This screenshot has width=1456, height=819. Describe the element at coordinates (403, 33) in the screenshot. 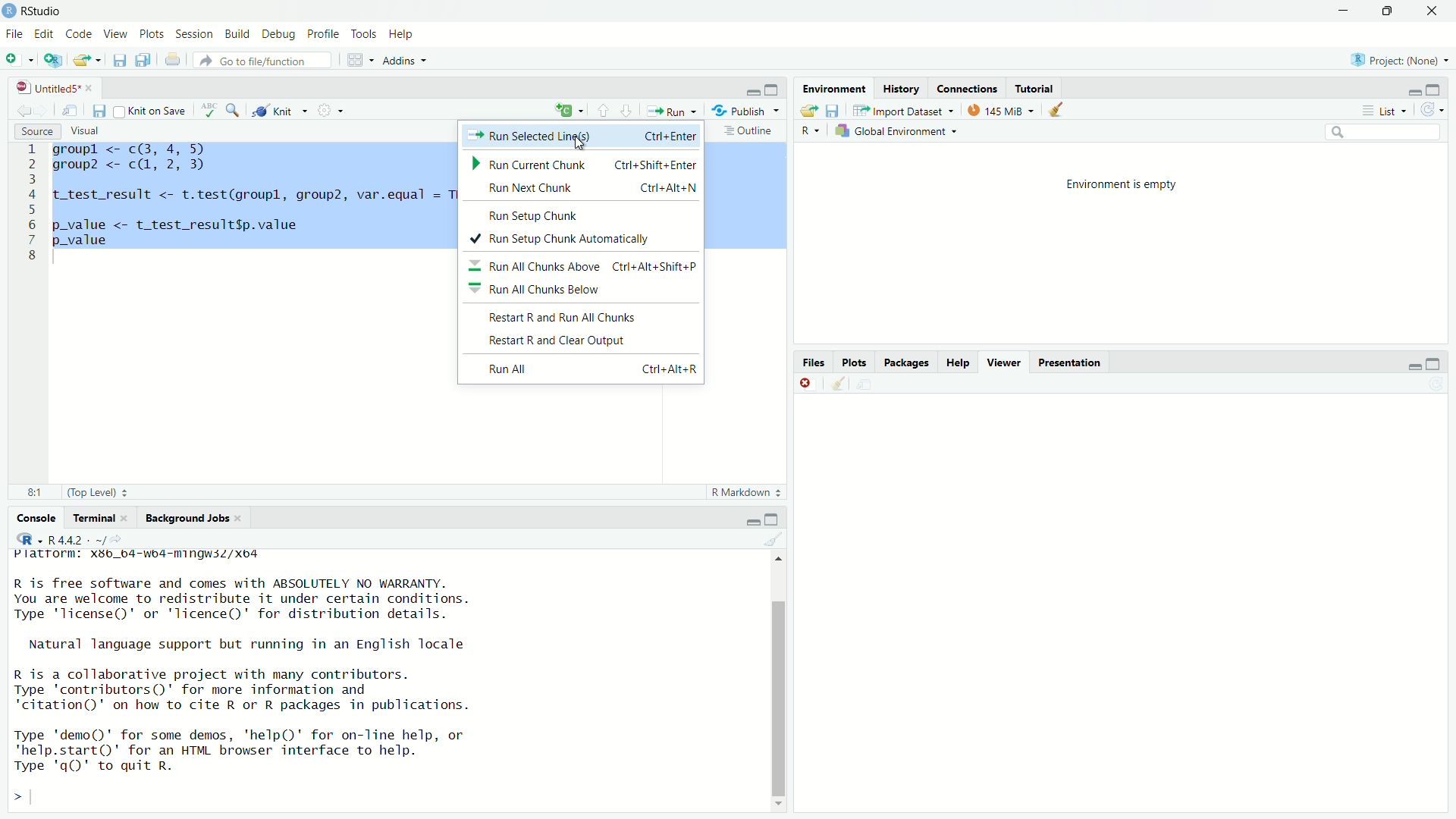

I see `Help` at that location.